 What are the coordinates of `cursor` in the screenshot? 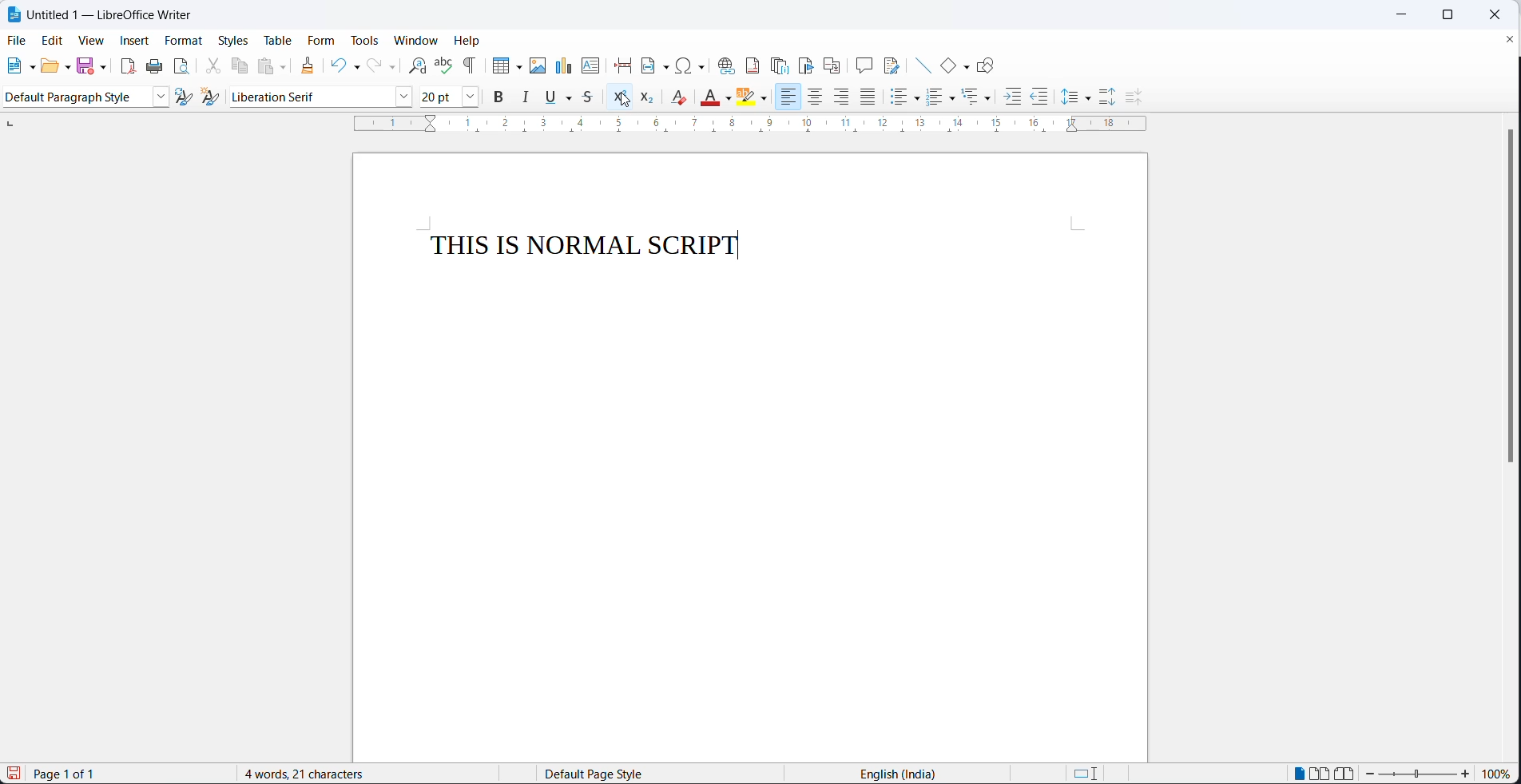 It's located at (624, 100).